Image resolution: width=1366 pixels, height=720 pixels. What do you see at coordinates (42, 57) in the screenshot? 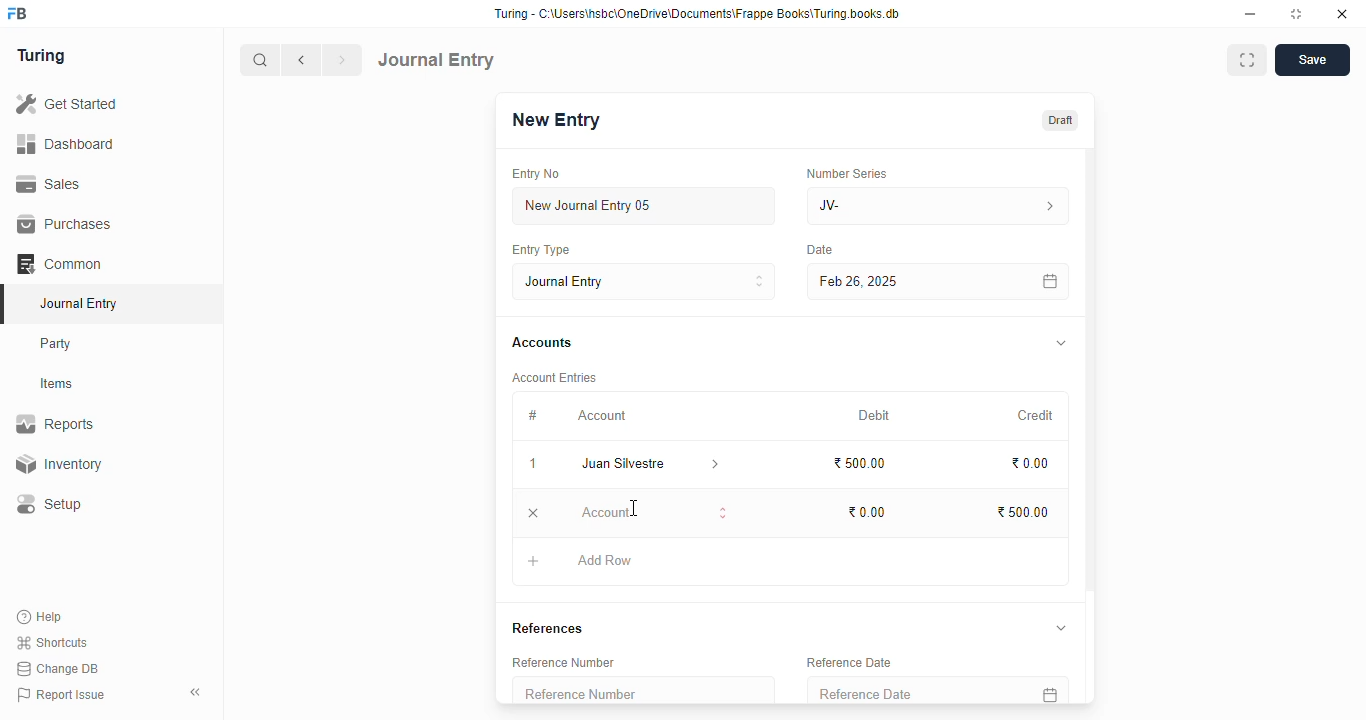
I see `turing` at bounding box center [42, 57].